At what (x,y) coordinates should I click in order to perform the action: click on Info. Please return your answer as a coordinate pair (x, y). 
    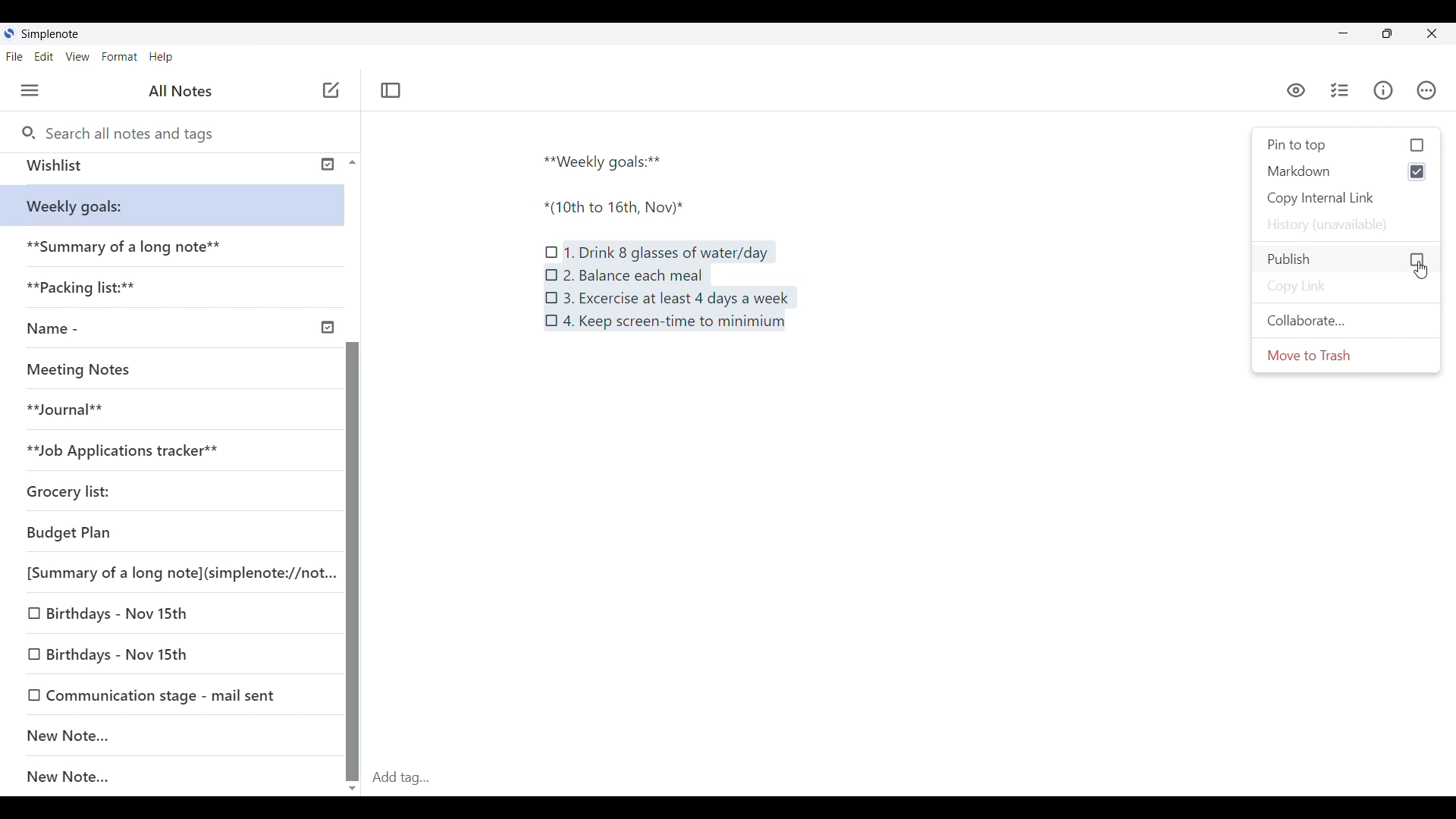
    Looking at the image, I should click on (1385, 91).